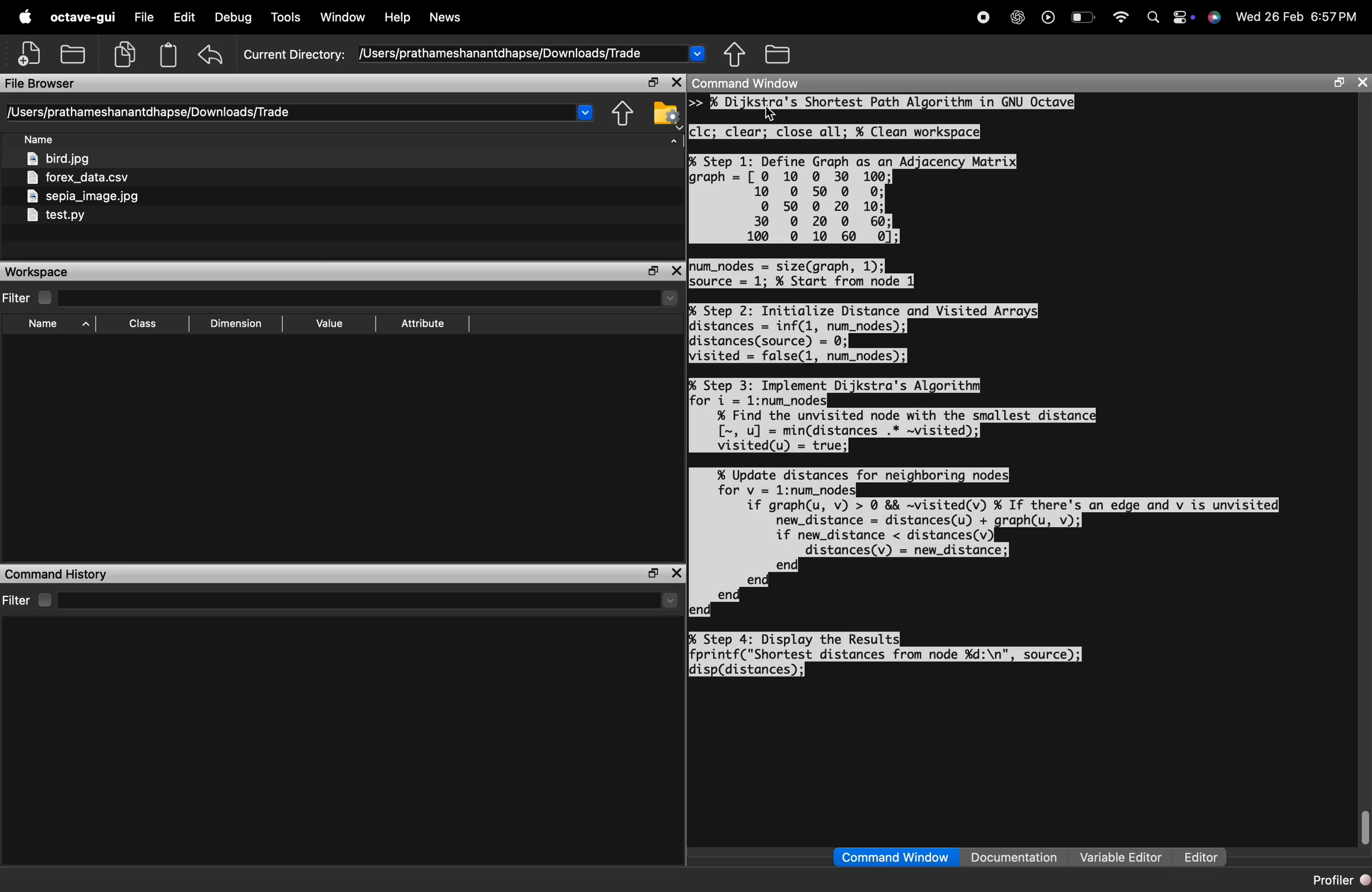  Describe the element at coordinates (767, 114) in the screenshot. I see `cursor` at that location.